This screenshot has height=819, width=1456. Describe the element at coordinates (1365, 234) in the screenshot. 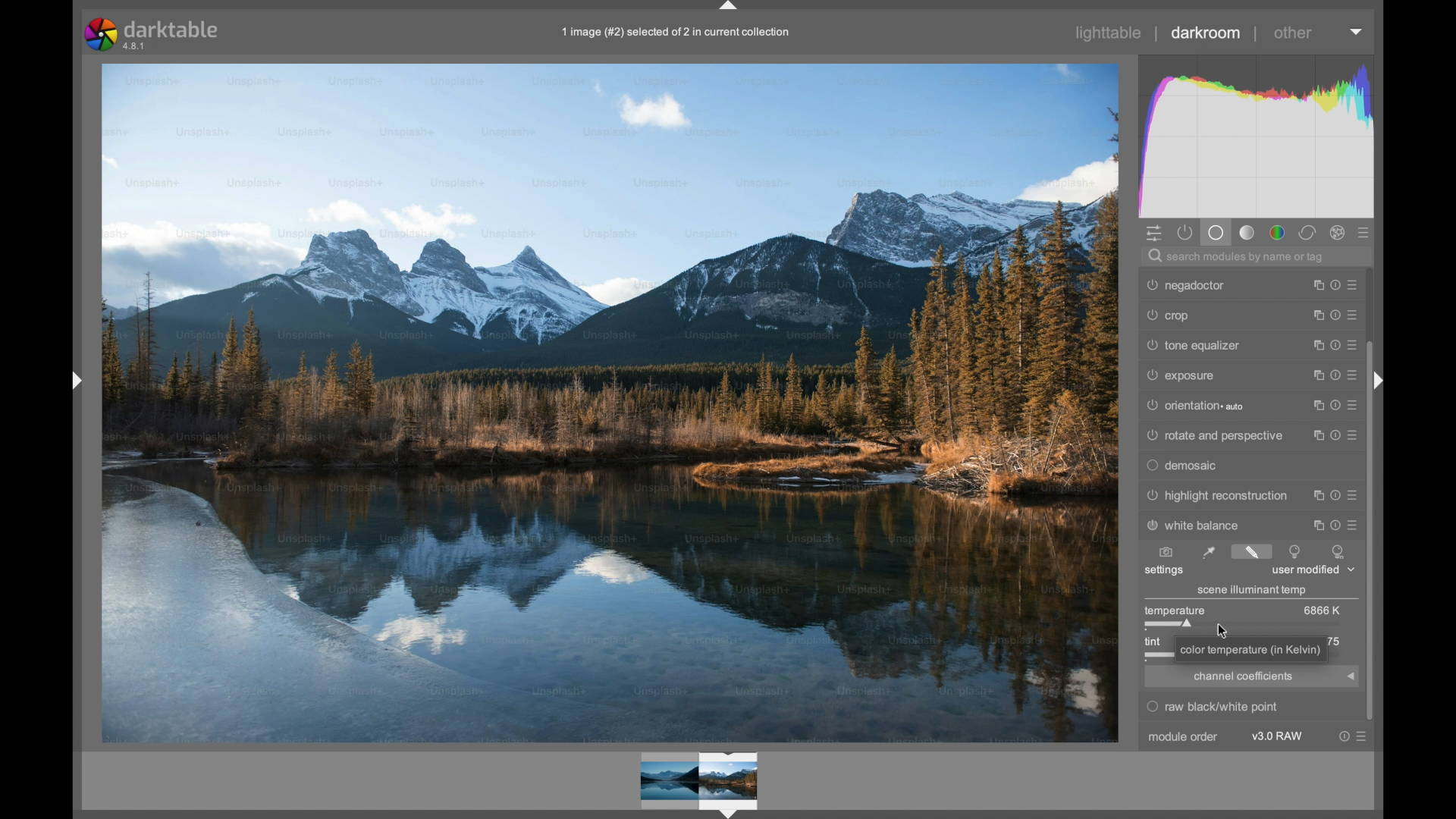

I see `presets` at that location.